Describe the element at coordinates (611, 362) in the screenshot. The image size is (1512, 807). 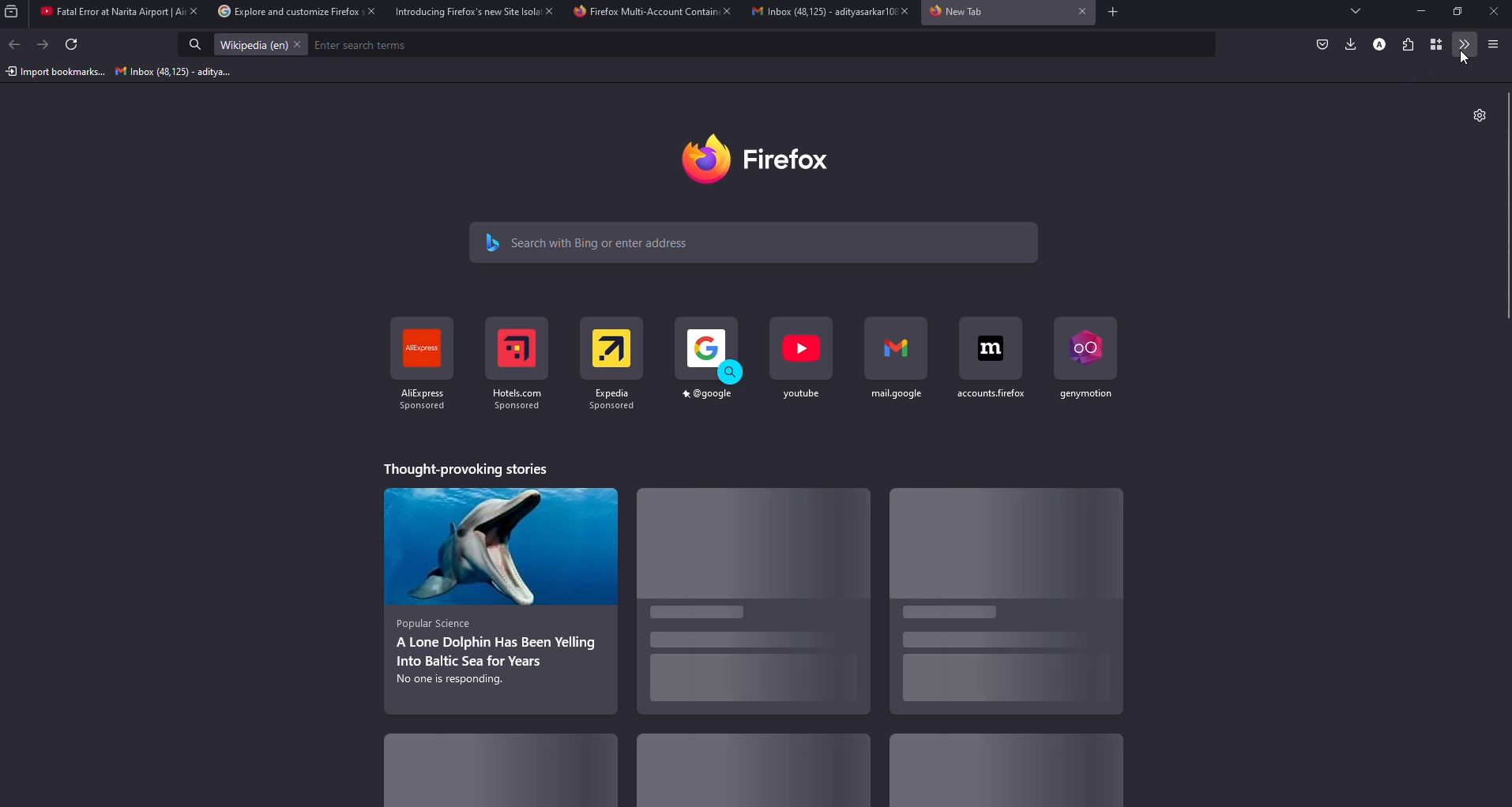
I see `shortcut` at that location.